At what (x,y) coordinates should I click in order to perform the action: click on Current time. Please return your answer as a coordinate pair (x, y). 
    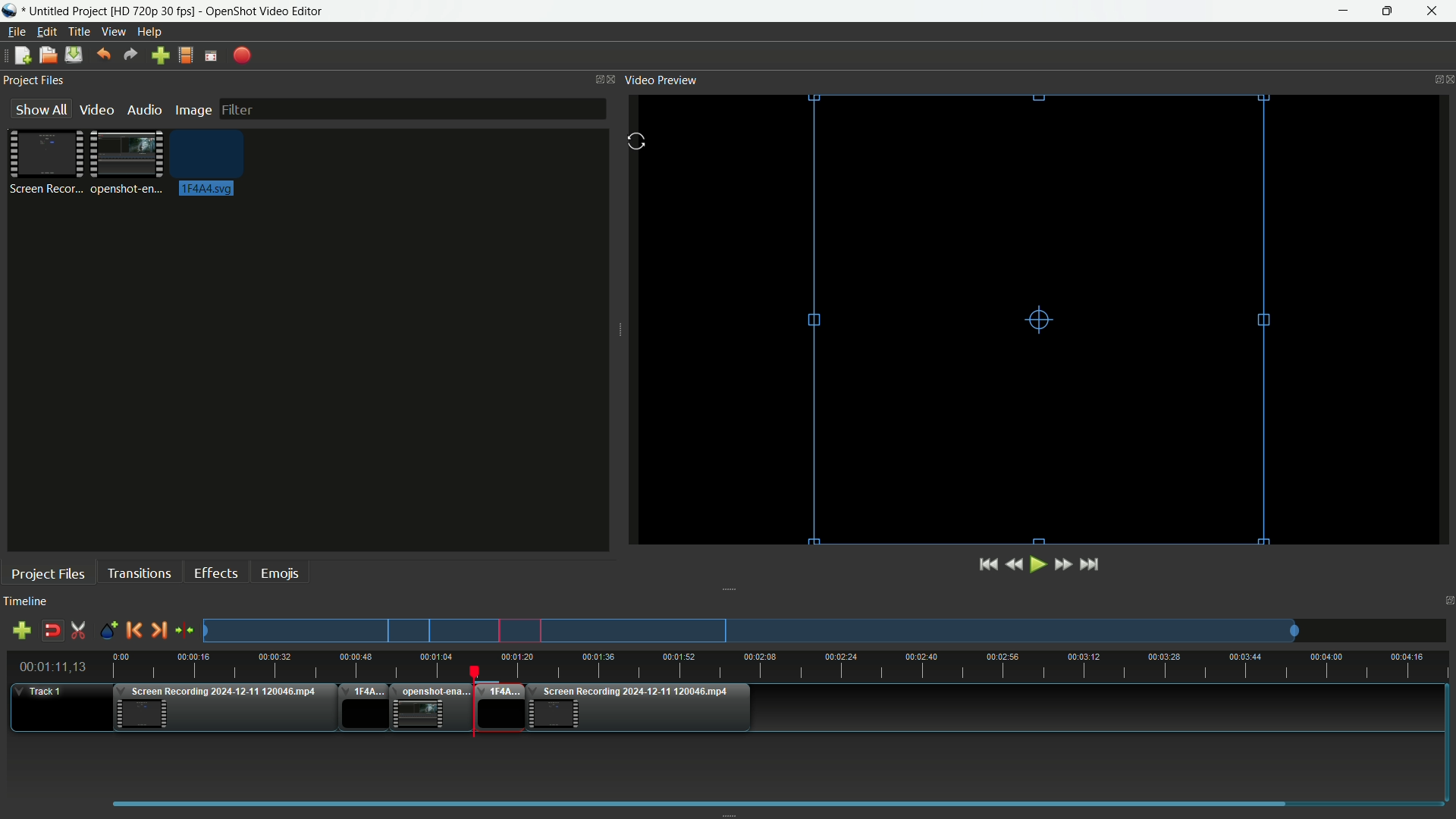
    Looking at the image, I should click on (57, 667).